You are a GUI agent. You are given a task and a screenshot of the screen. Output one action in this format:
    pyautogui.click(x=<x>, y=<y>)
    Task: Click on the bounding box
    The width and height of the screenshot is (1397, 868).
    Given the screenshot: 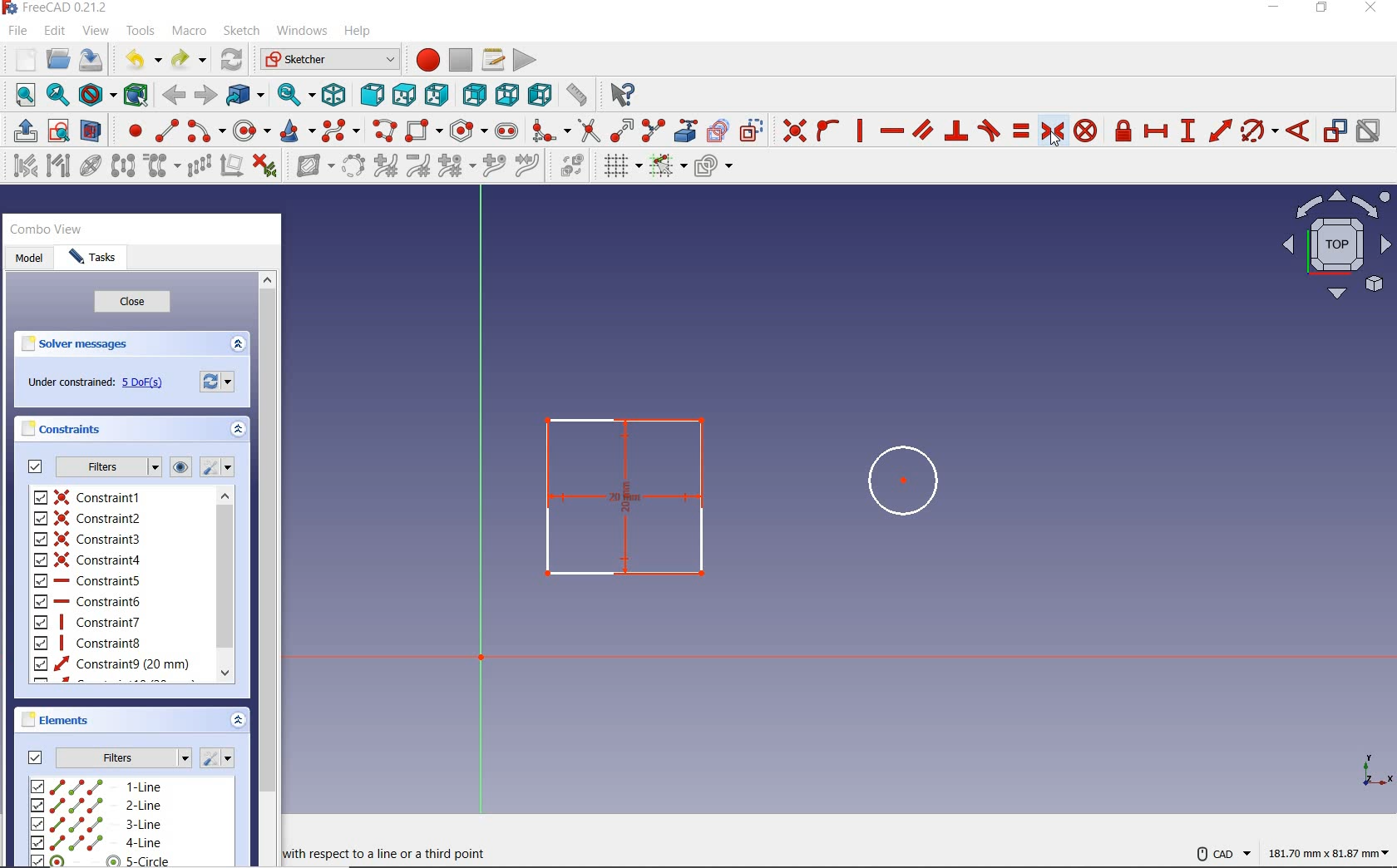 What is the action you would take?
    pyautogui.click(x=135, y=95)
    